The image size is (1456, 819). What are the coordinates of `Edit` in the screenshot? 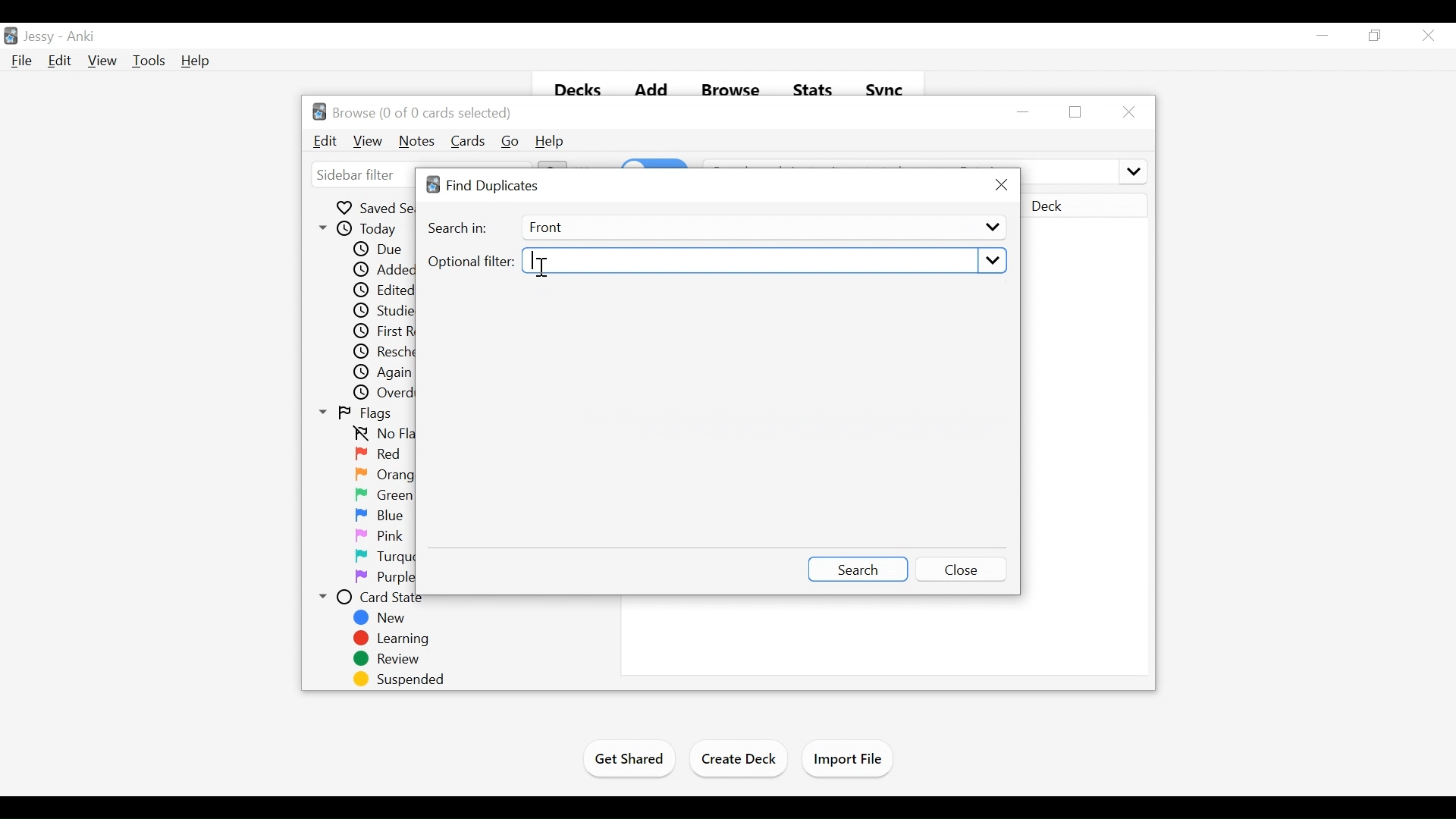 It's located at (326, 141).